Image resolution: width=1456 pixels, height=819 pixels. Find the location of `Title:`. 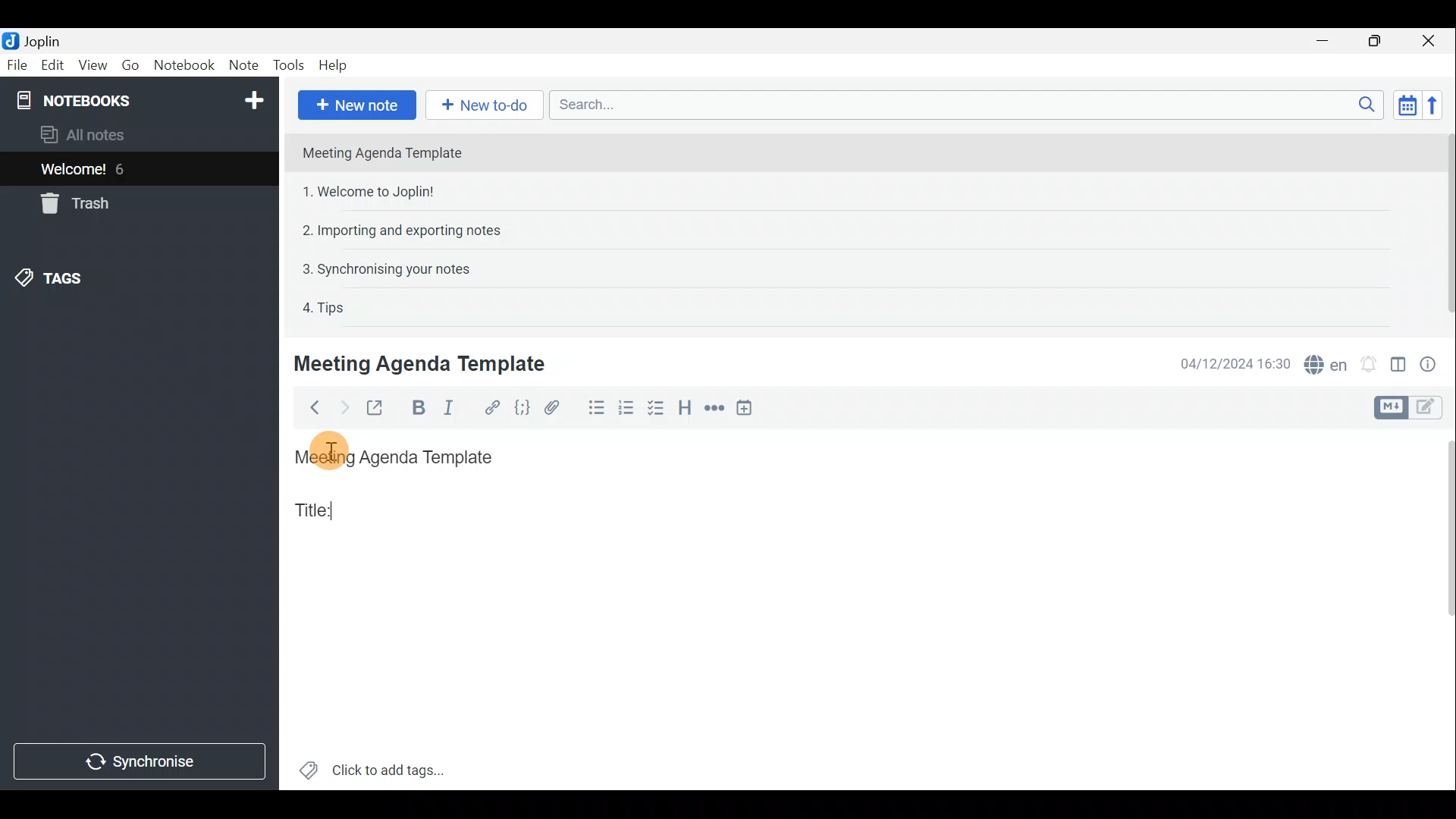

Title: is located at coordinates (316, 509).